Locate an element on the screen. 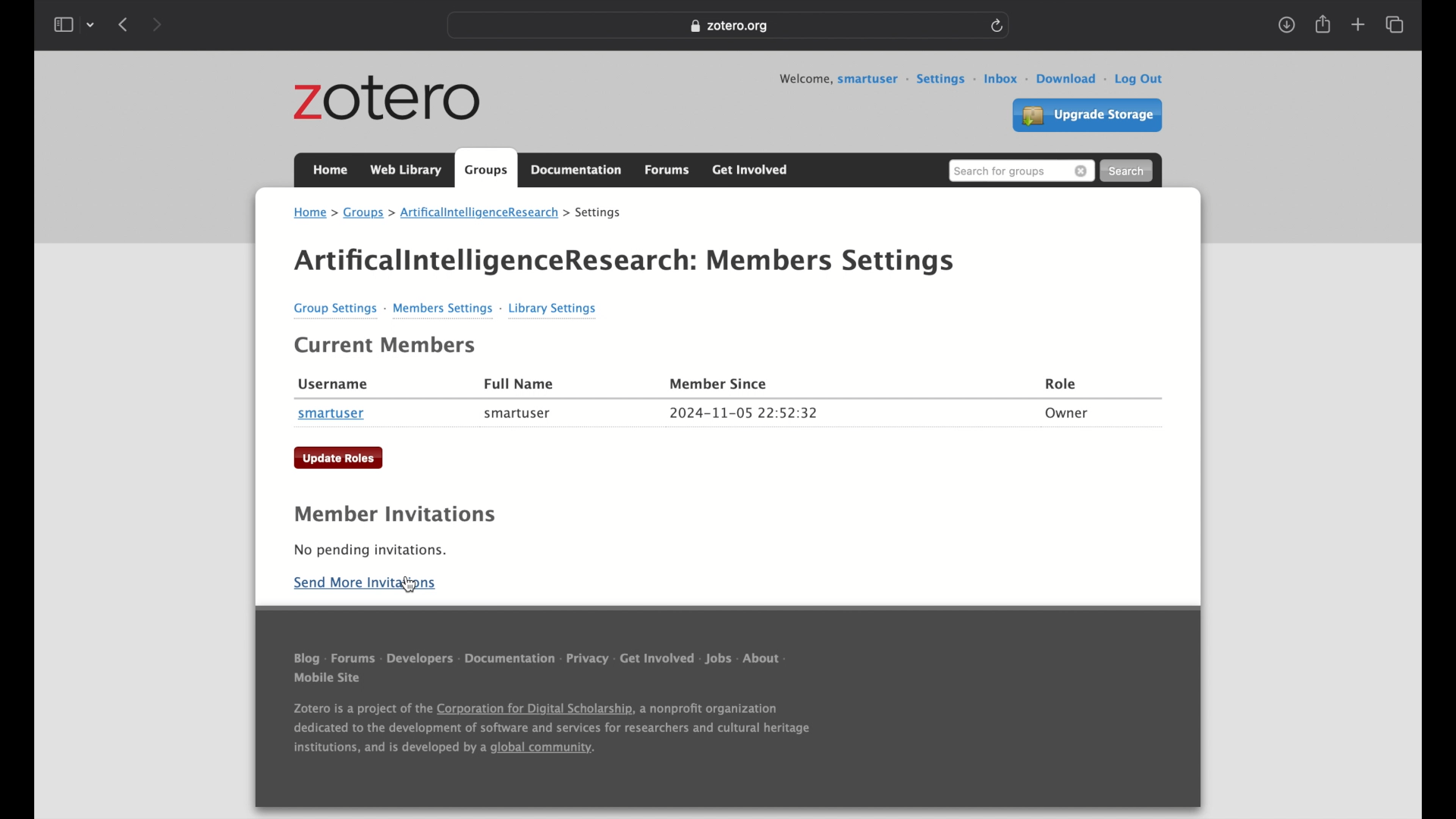 The height and width of the screenshot is (819, 1456). documentation is located at coordinates (510, 660).